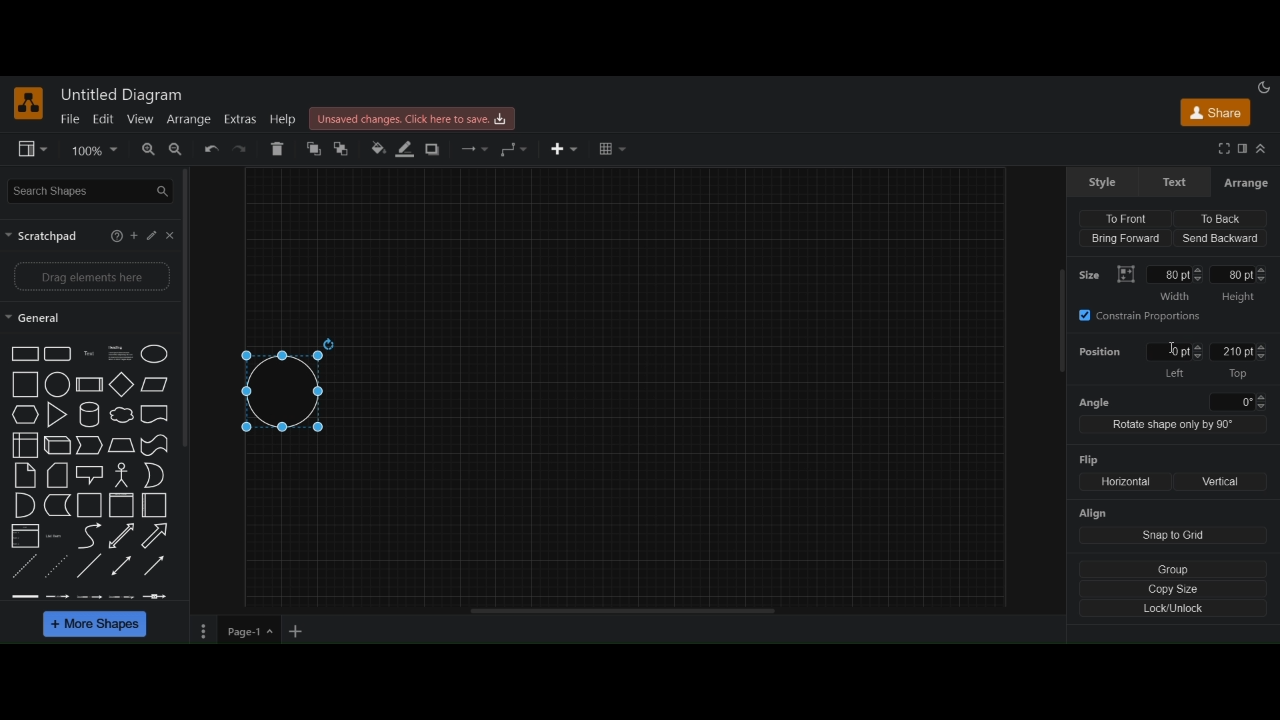  Describe the element at coordinates (91, 353) in the screenshot. I see `task` at that location.